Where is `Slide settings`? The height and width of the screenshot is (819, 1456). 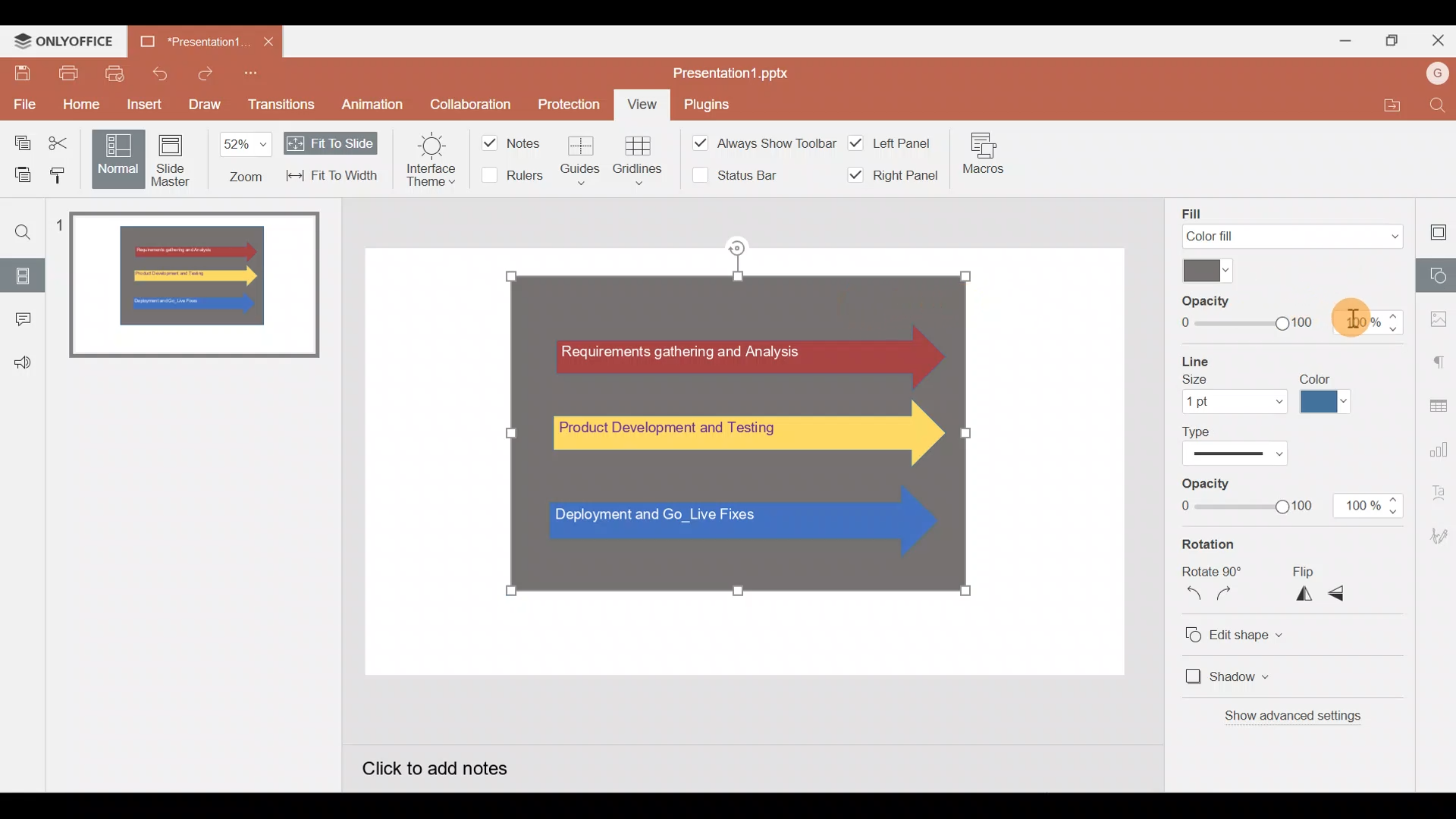 Slide settings is located at coordinates (1434, 231).